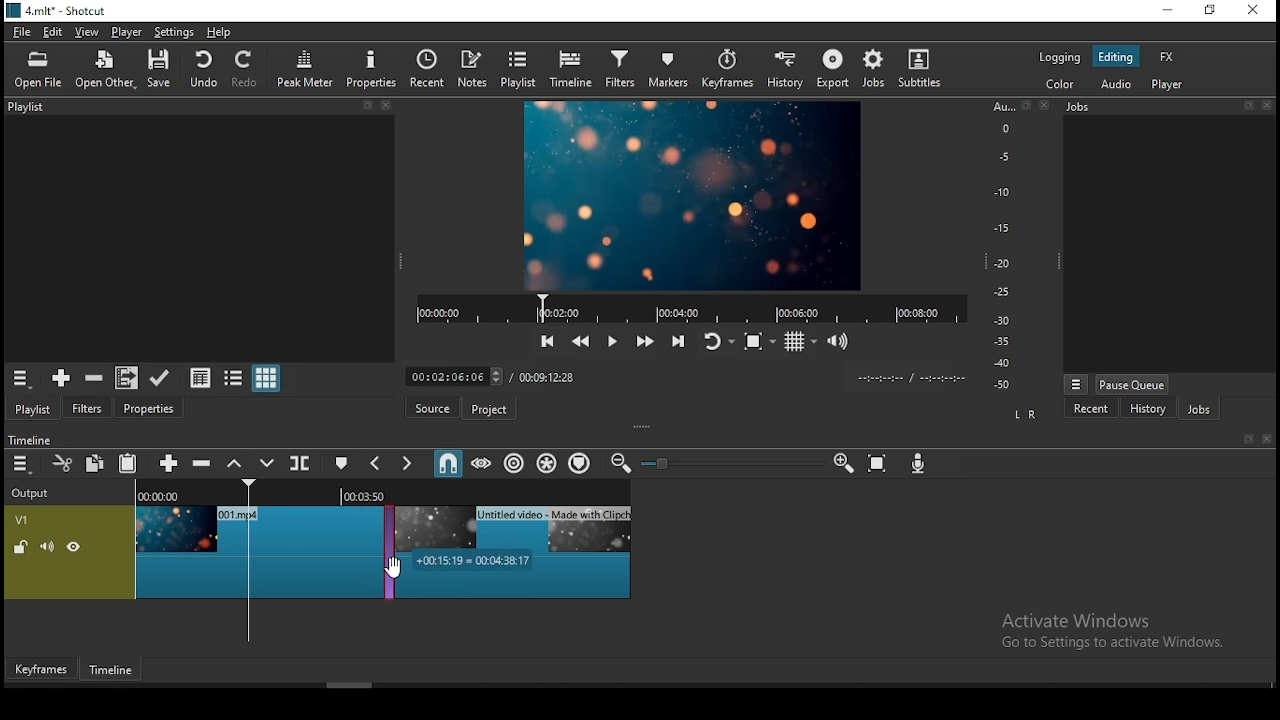 The height and width of the screenshot is (720, 1280). What do you see at coordinates (165, 462) in the screenshot?
I see `` at bounding box center [165, 462].